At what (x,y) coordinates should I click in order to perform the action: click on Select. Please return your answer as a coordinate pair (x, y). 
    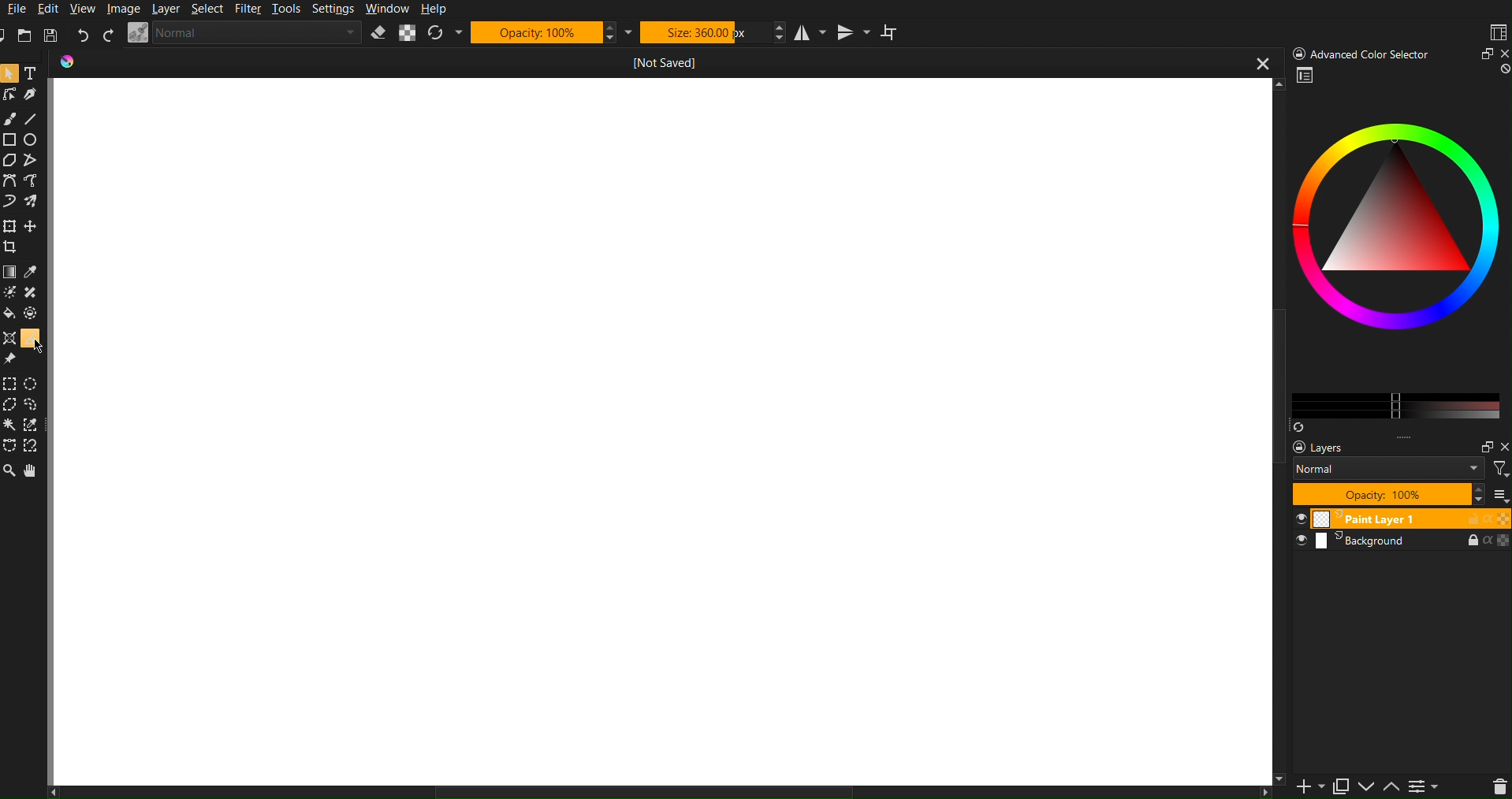
    Looking at the image, I should click on (210, 9).